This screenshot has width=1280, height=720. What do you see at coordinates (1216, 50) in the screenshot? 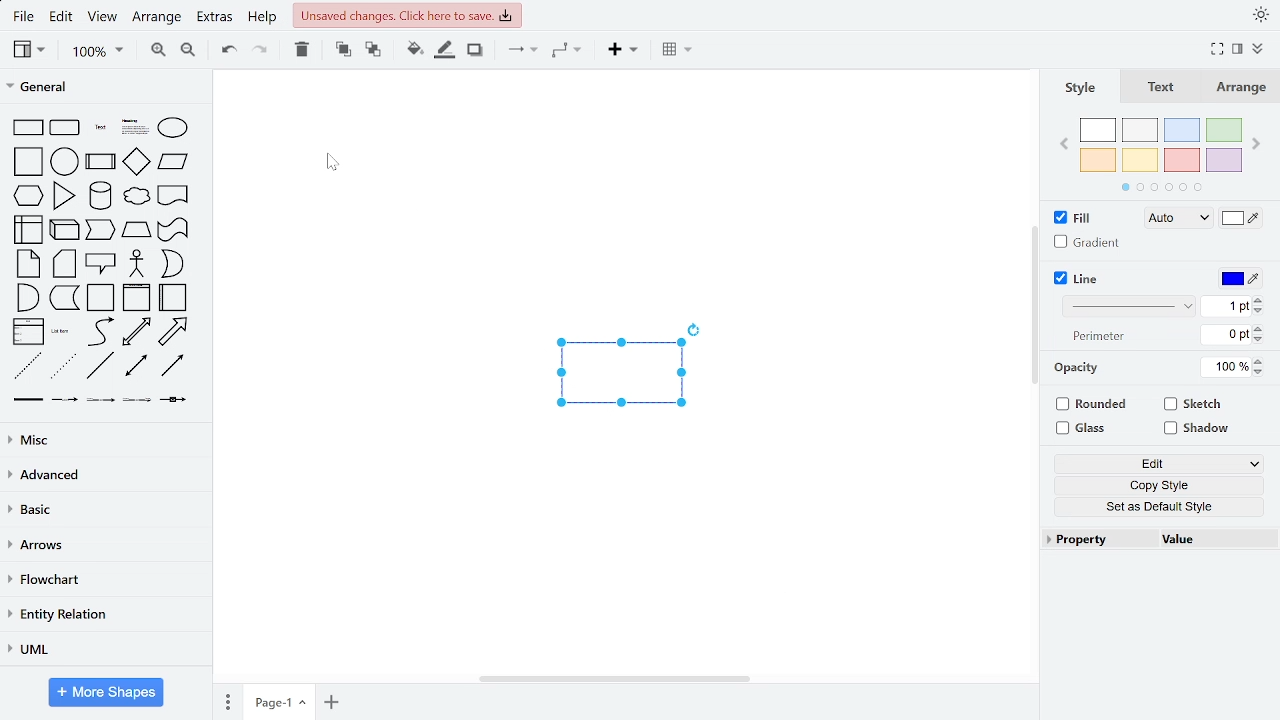
I see `fullscreen` at bounding box center [1216, 50].